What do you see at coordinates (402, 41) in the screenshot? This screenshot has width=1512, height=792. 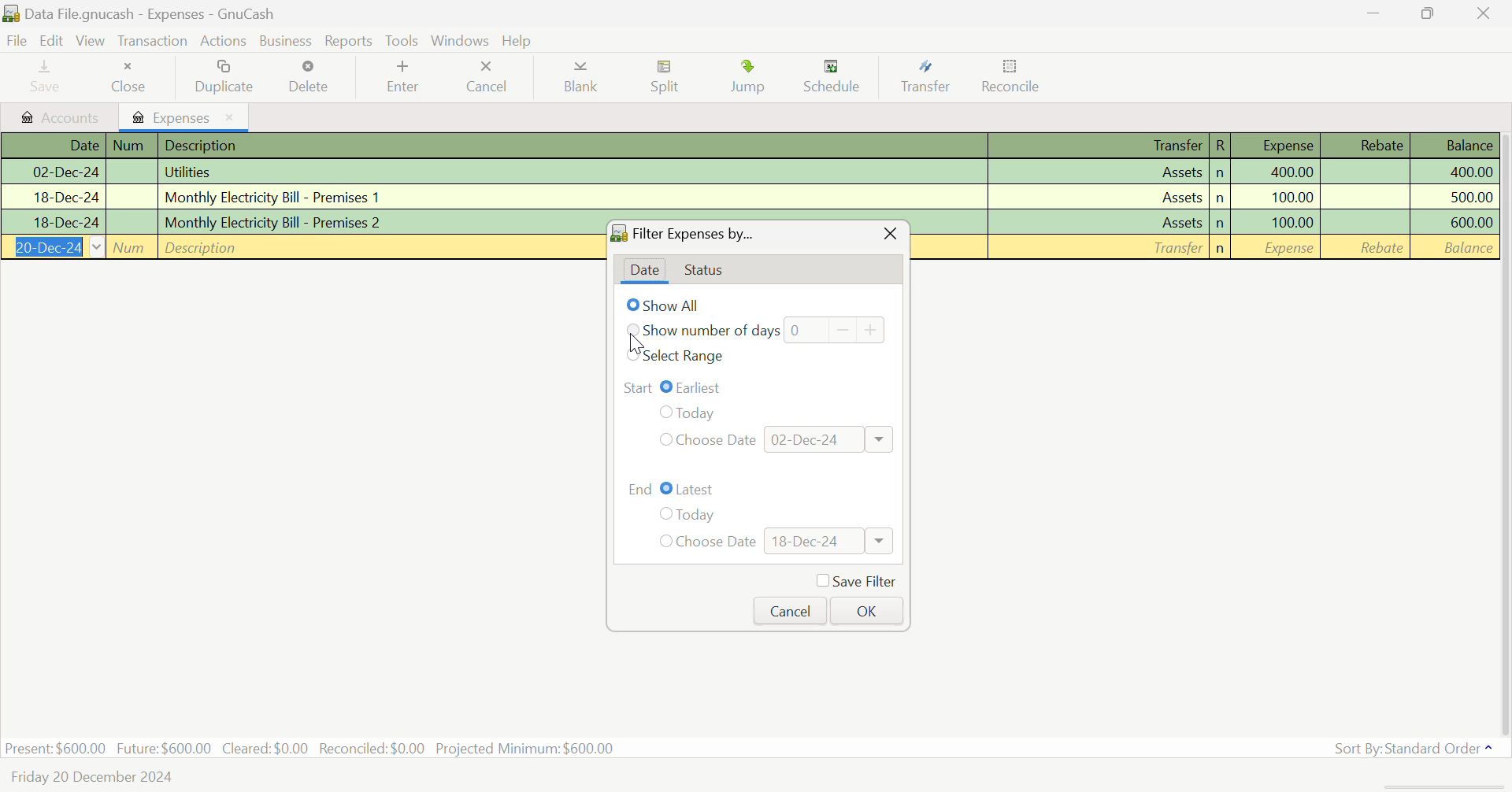 I see `tools` at bounding box center [402, 41].